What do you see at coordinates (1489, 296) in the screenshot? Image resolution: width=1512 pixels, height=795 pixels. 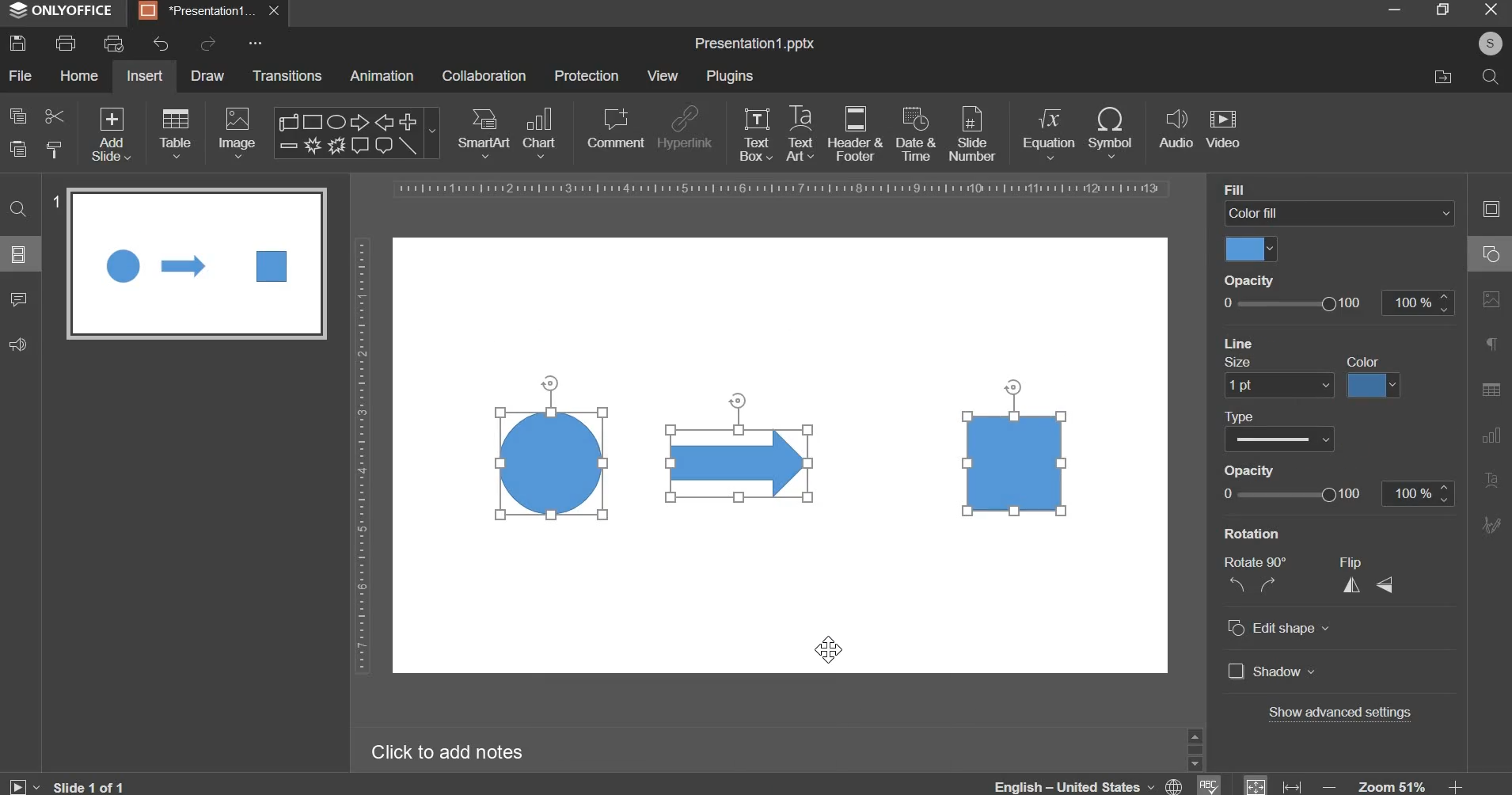 I see `image setting` at bounding box center [1489, 296].